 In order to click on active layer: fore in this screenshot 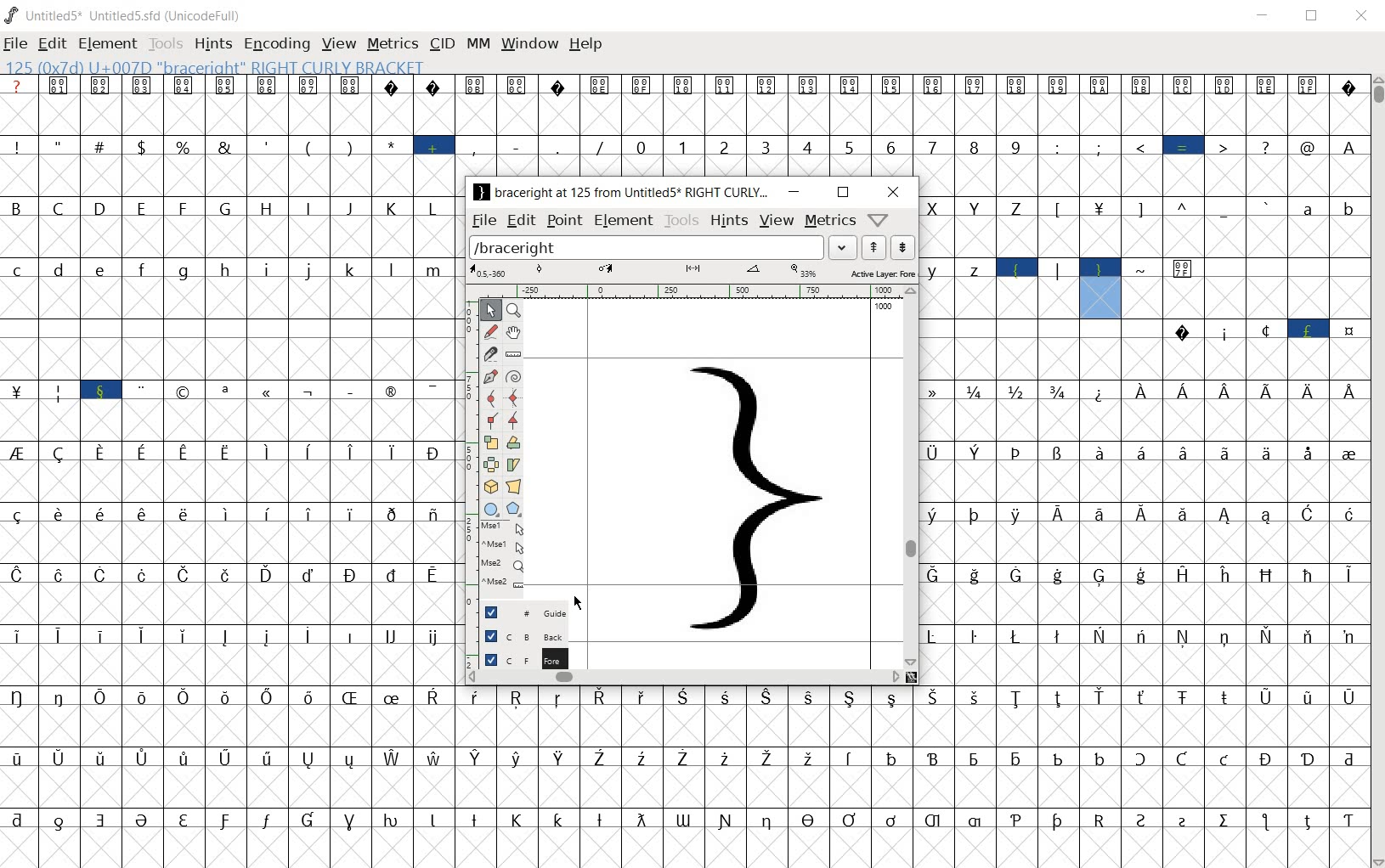, I will do `click(698, 272)`.